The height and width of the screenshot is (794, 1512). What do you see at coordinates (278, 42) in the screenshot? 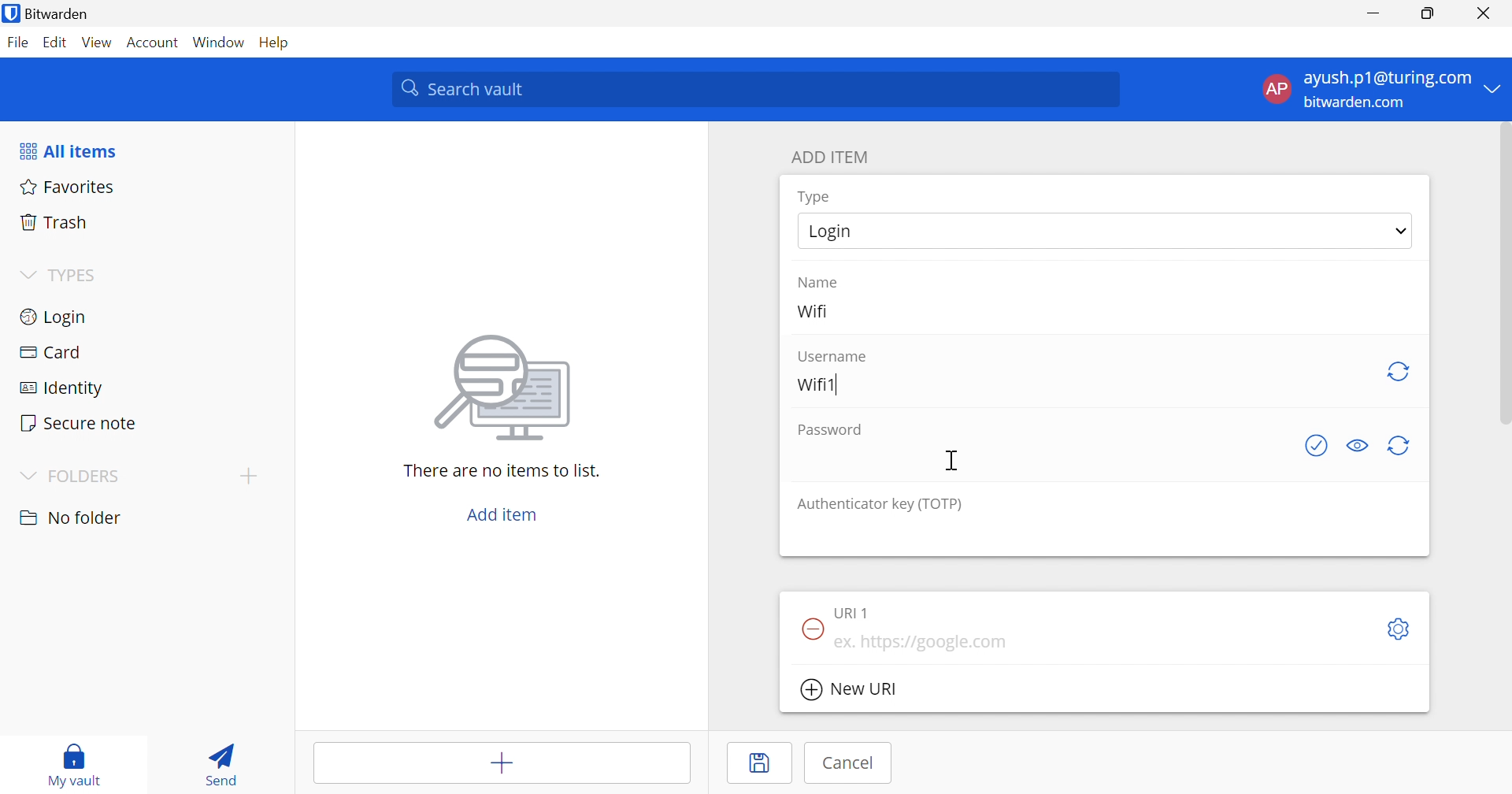
I see `Help` at bounding box center [278, 42].